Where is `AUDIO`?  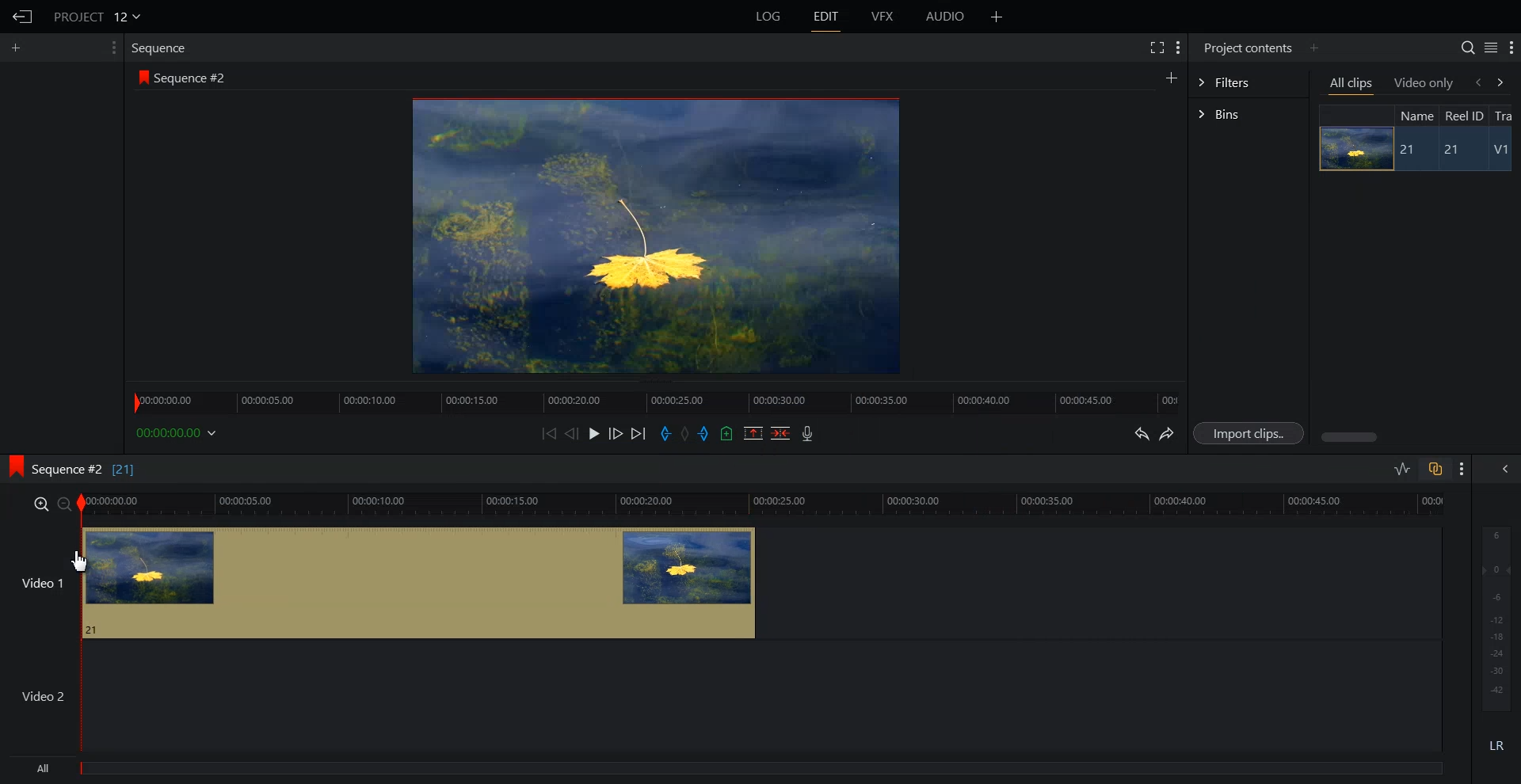
AUDIO is located at coordinates (947, 17).